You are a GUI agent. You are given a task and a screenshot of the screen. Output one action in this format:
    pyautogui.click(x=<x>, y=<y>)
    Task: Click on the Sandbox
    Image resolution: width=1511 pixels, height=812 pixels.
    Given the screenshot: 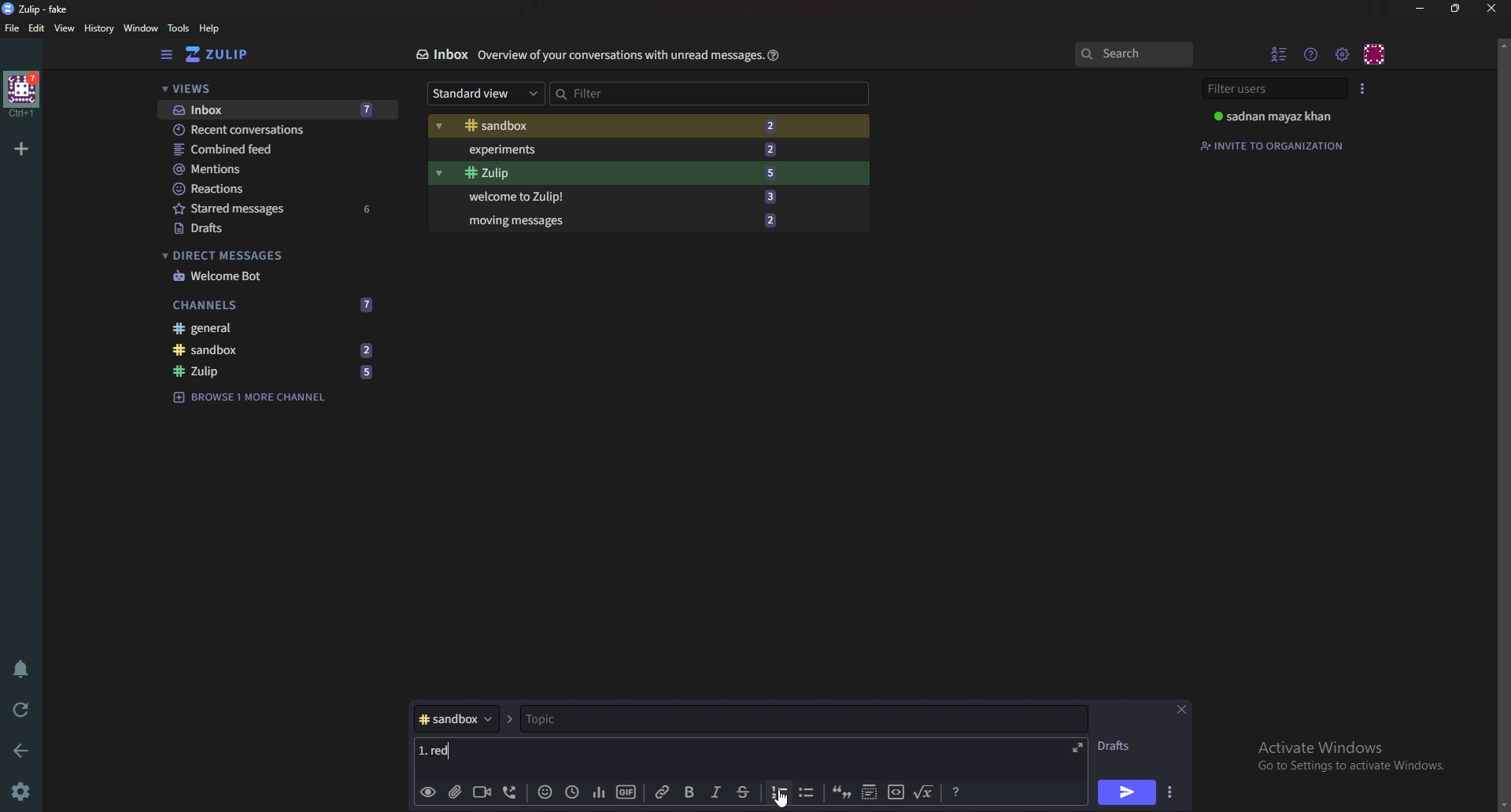 What is the action you would take?
    pyautogui.click(x=622, y=126)
    